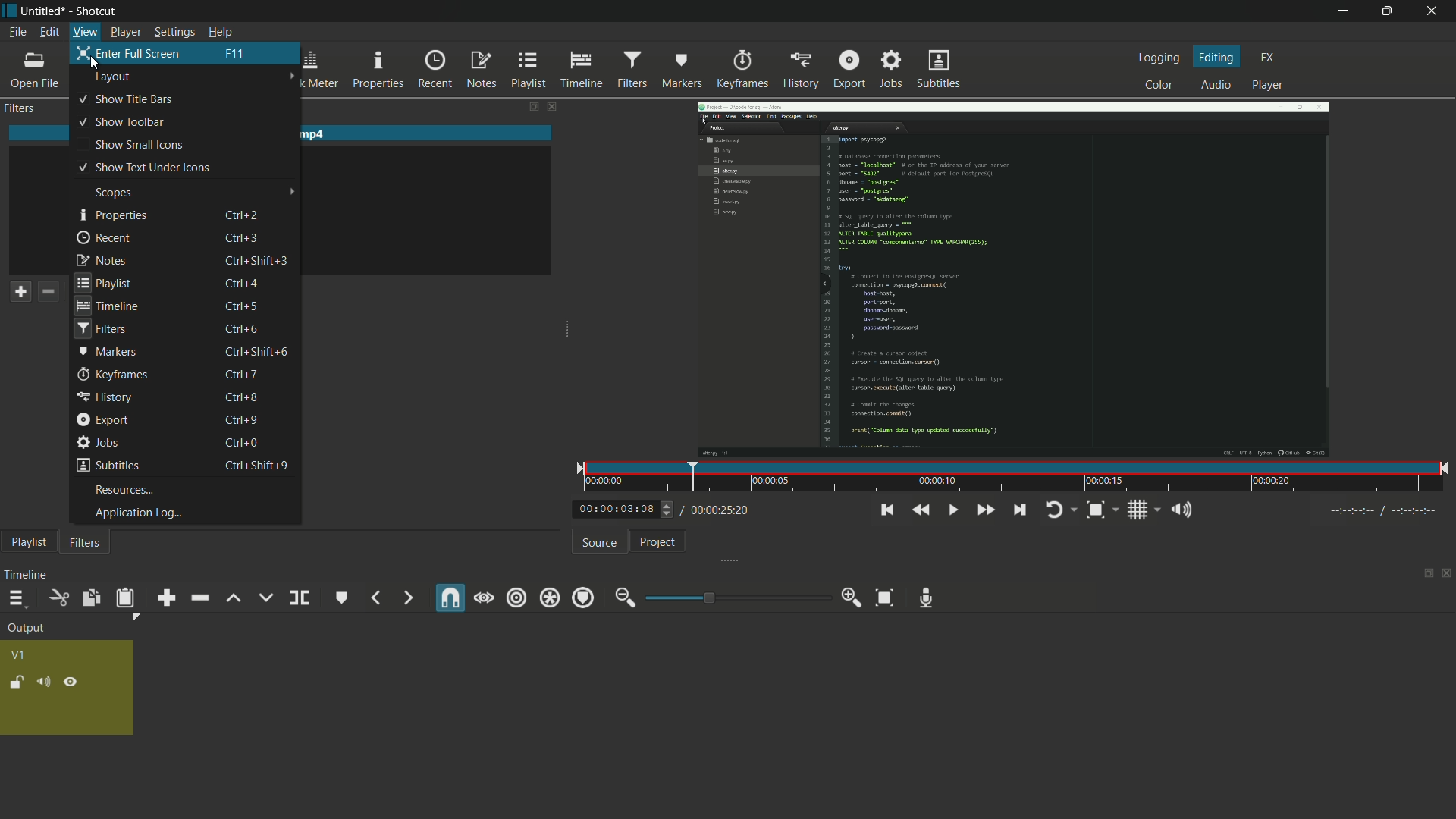 Image resolution: width=1456 pixels, height=819 pixels. I want to click on peak meter, so click(310, 71).